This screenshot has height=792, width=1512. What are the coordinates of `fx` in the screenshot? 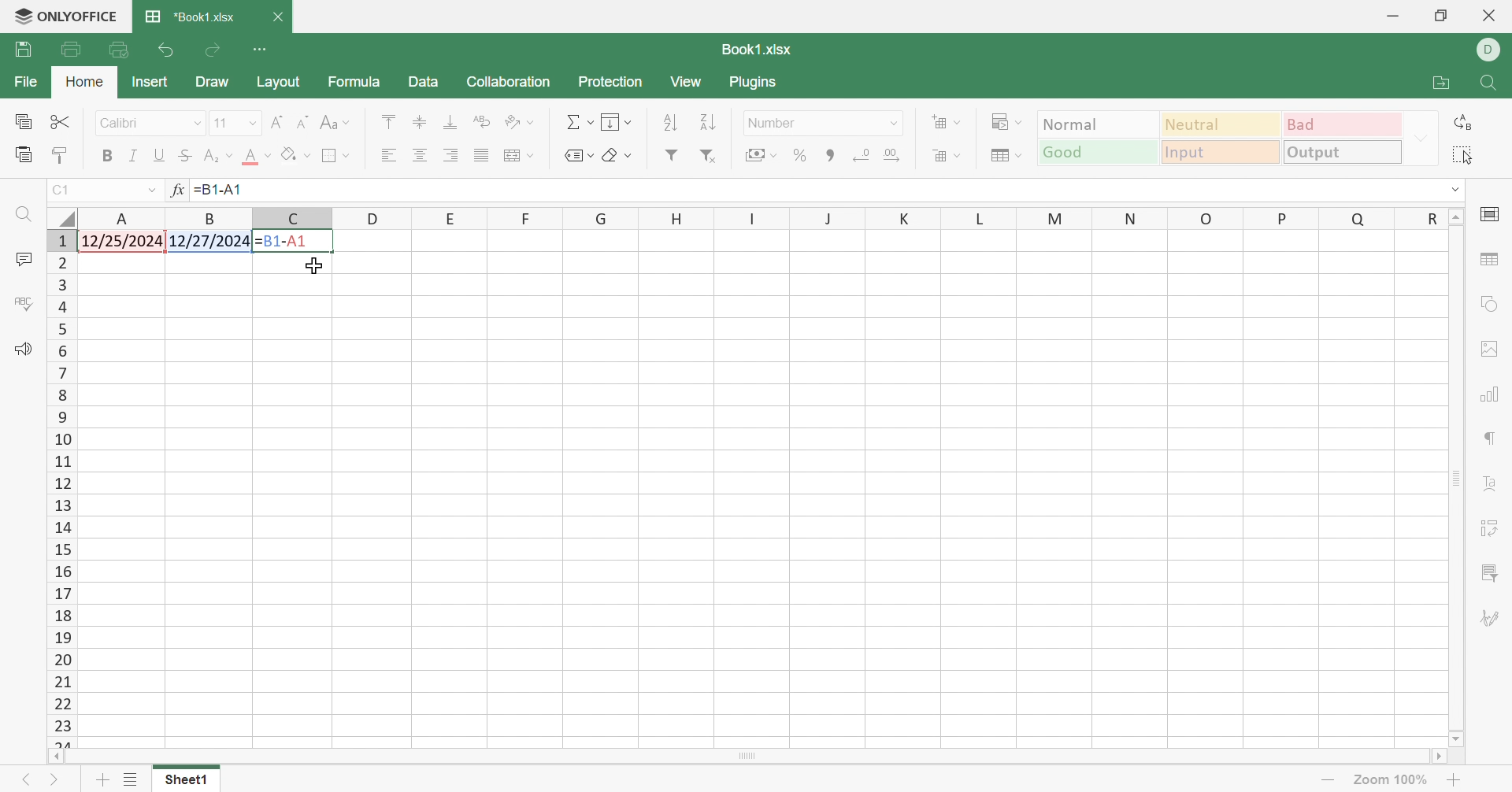 It's located at (176, 190).